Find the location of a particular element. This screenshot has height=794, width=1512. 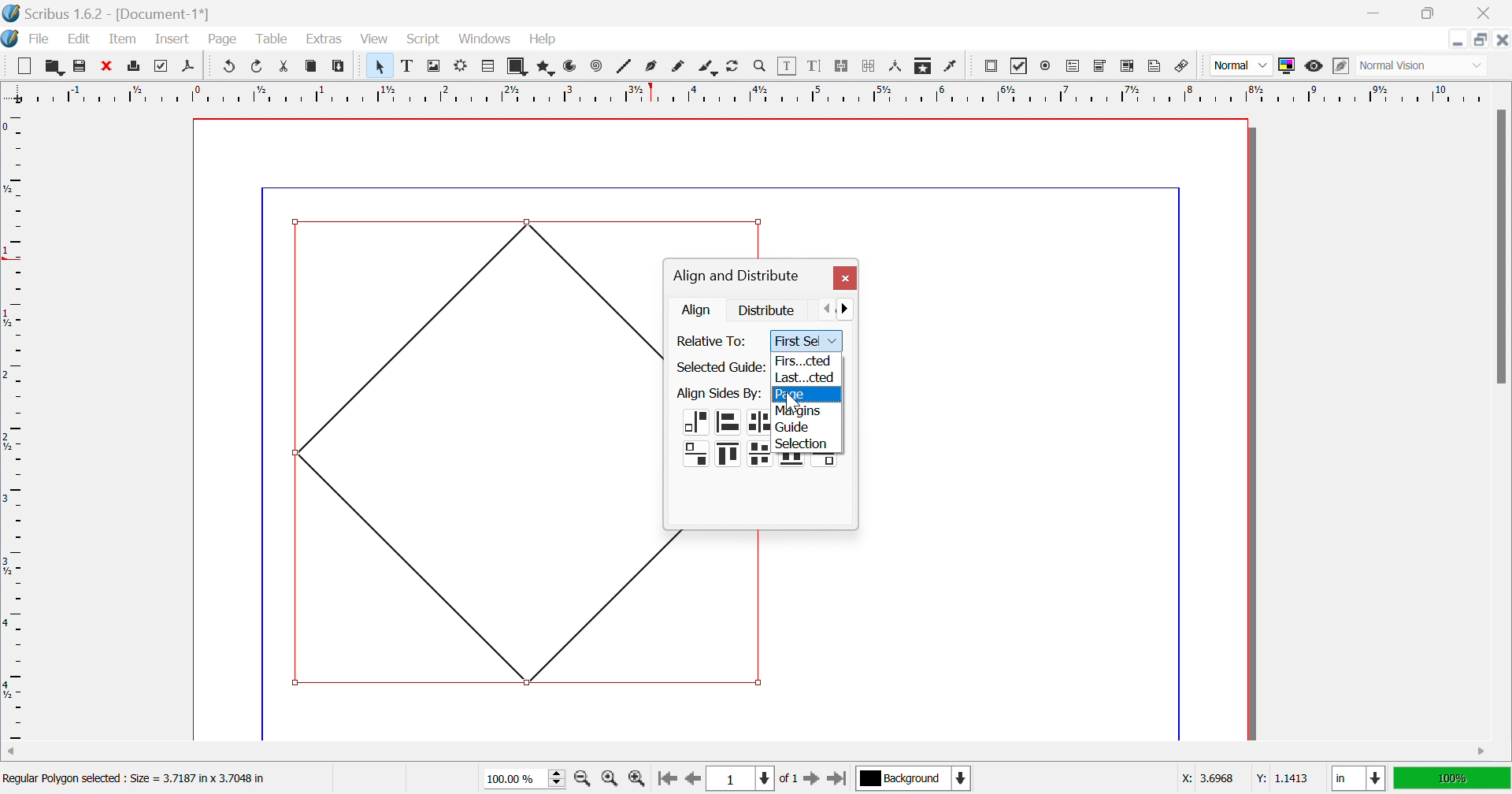

Close is located at coordinates (105, 64).